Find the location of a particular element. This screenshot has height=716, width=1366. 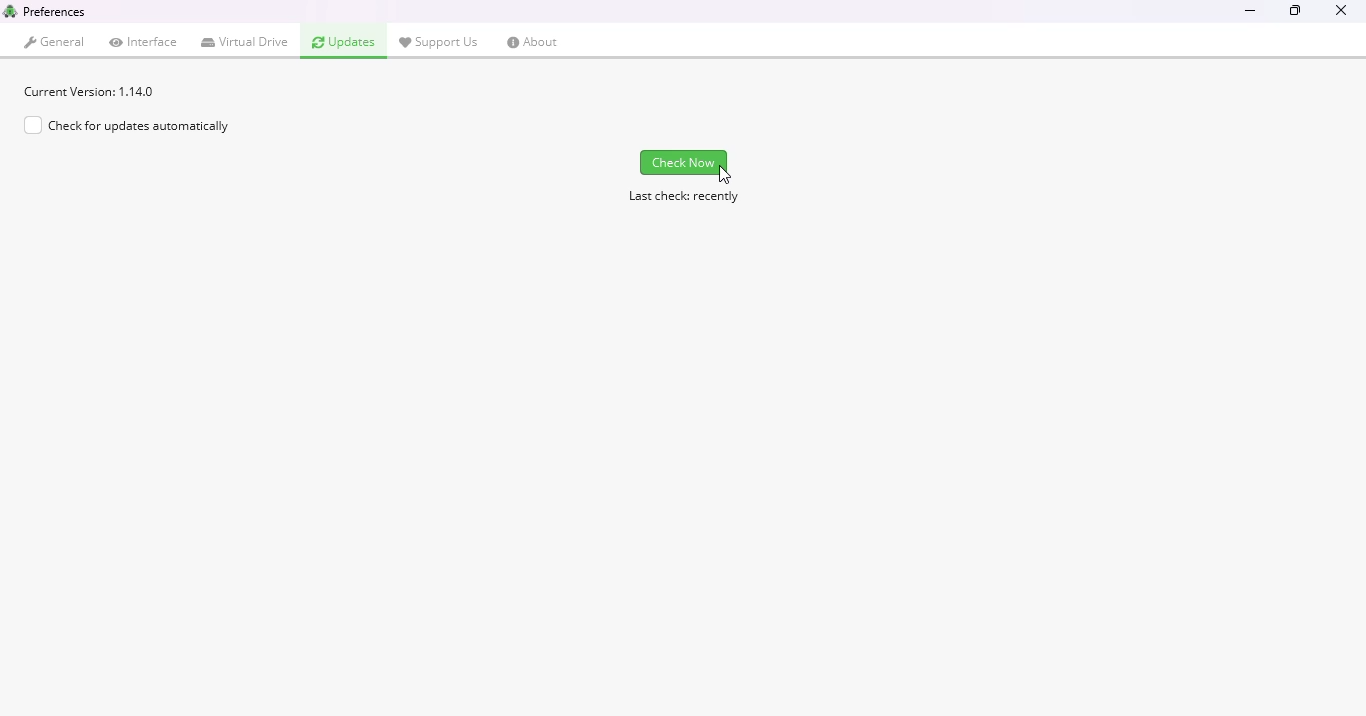

general is located at coordinates (56, 42).